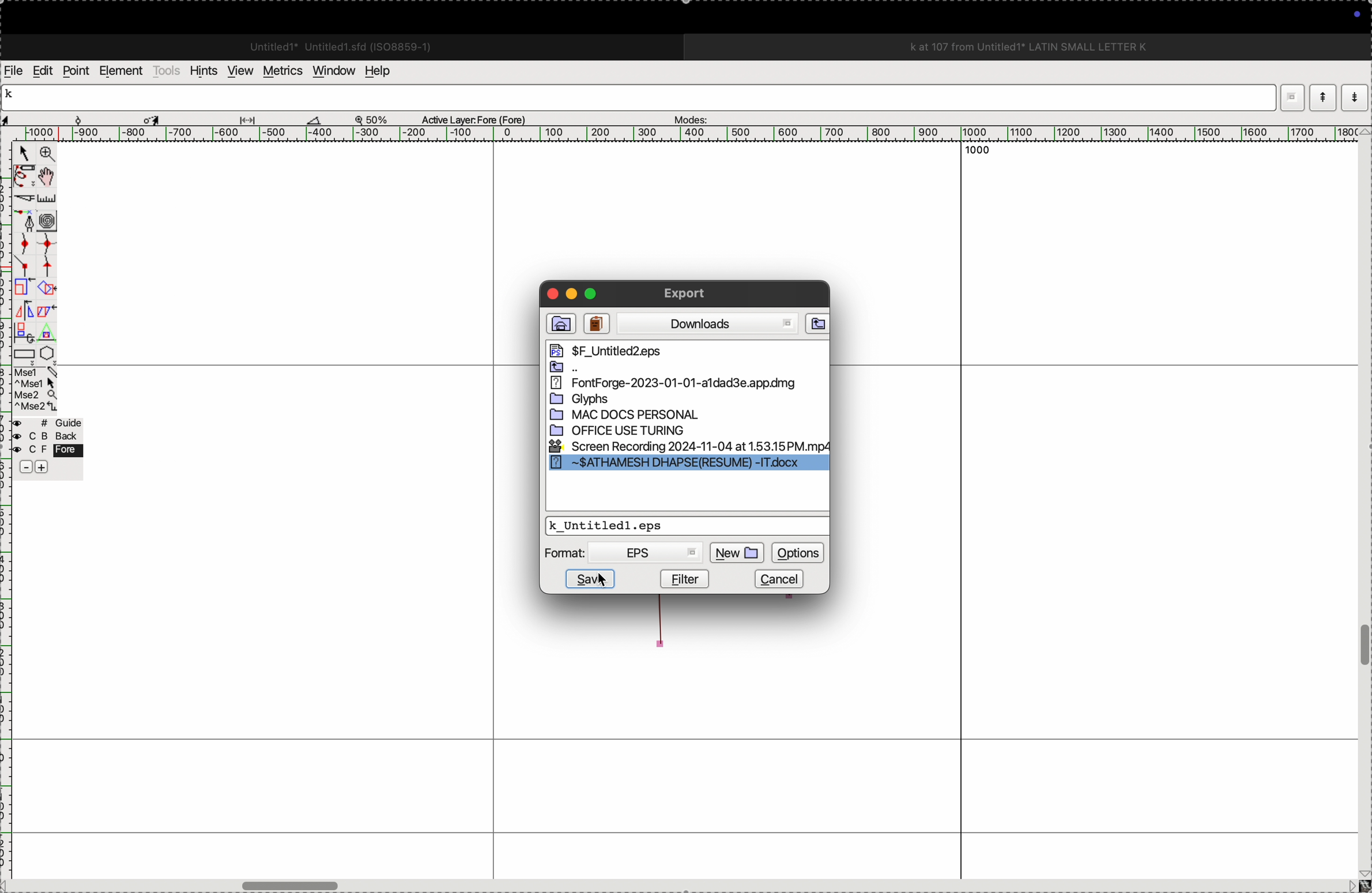 The height and width of the screenshot is (893, 1372). Describe the element at coordinates (673, 134) in the screenshot. I see `horizontal scale` at that location.